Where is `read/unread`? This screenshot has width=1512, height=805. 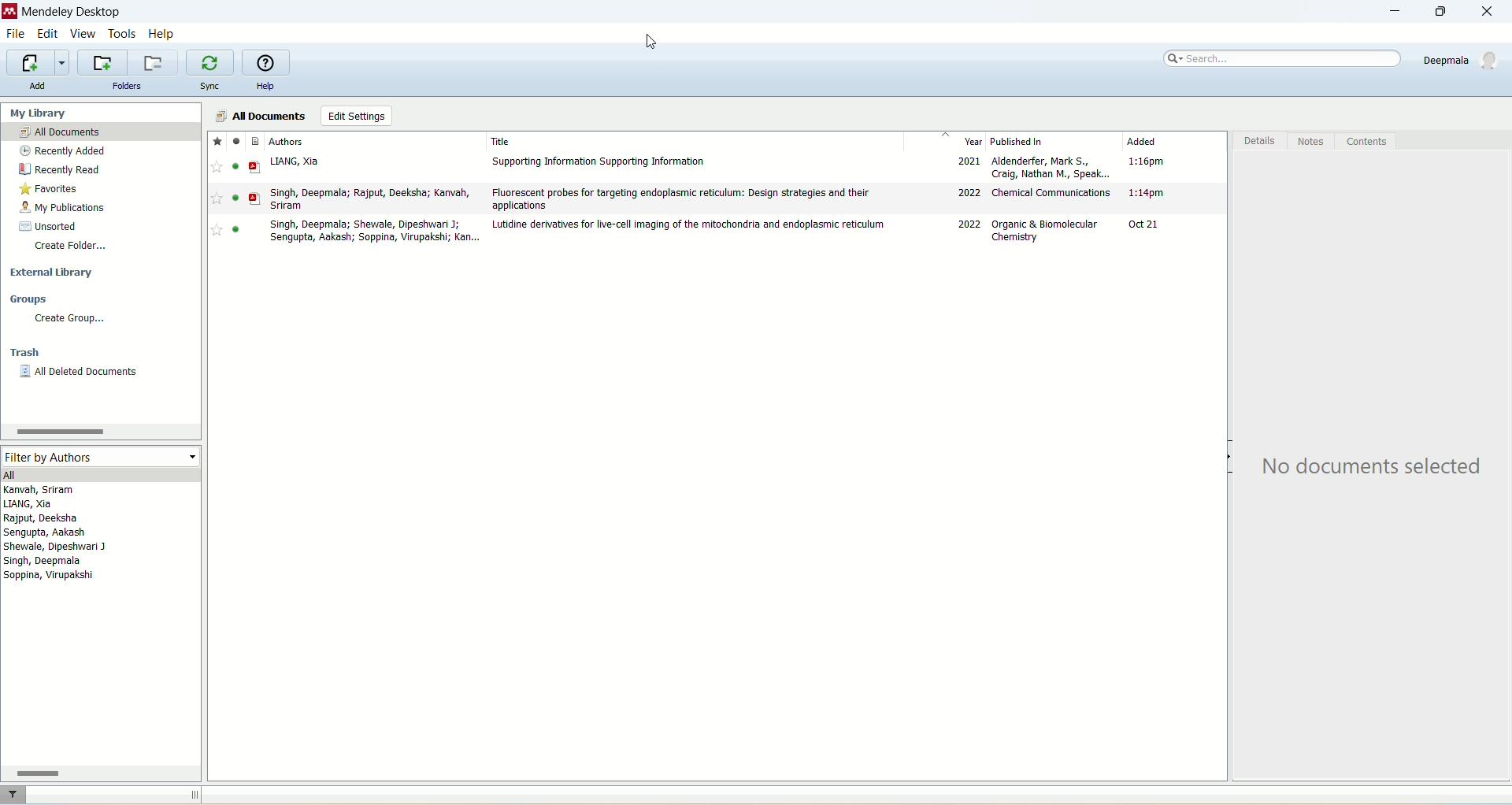
read/unread is located at coordinates (233, 165).